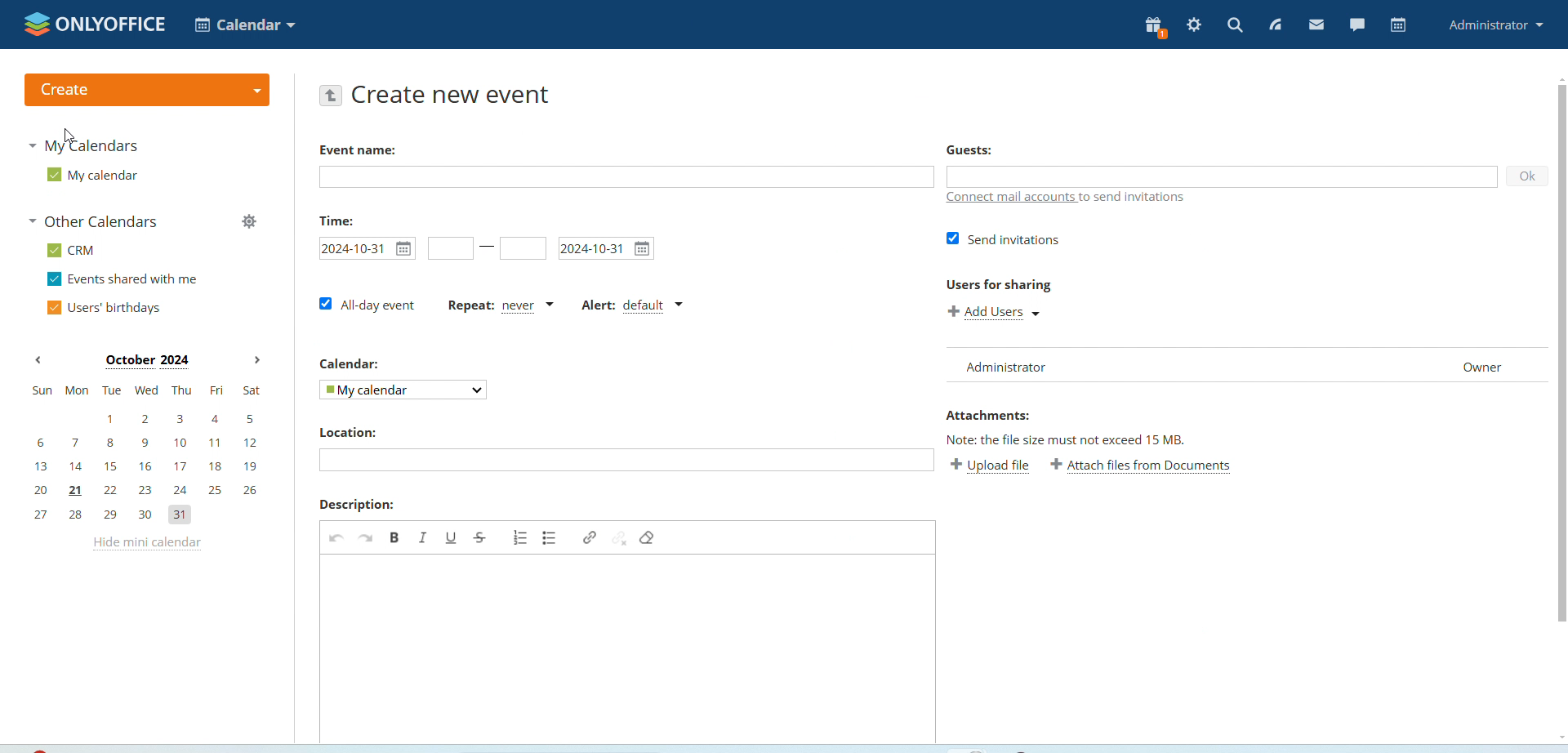 This screenshot has width=1568, height=753. Describe the element at coordinates (626, 461) in the screenshot. I see `edit location` at that location.